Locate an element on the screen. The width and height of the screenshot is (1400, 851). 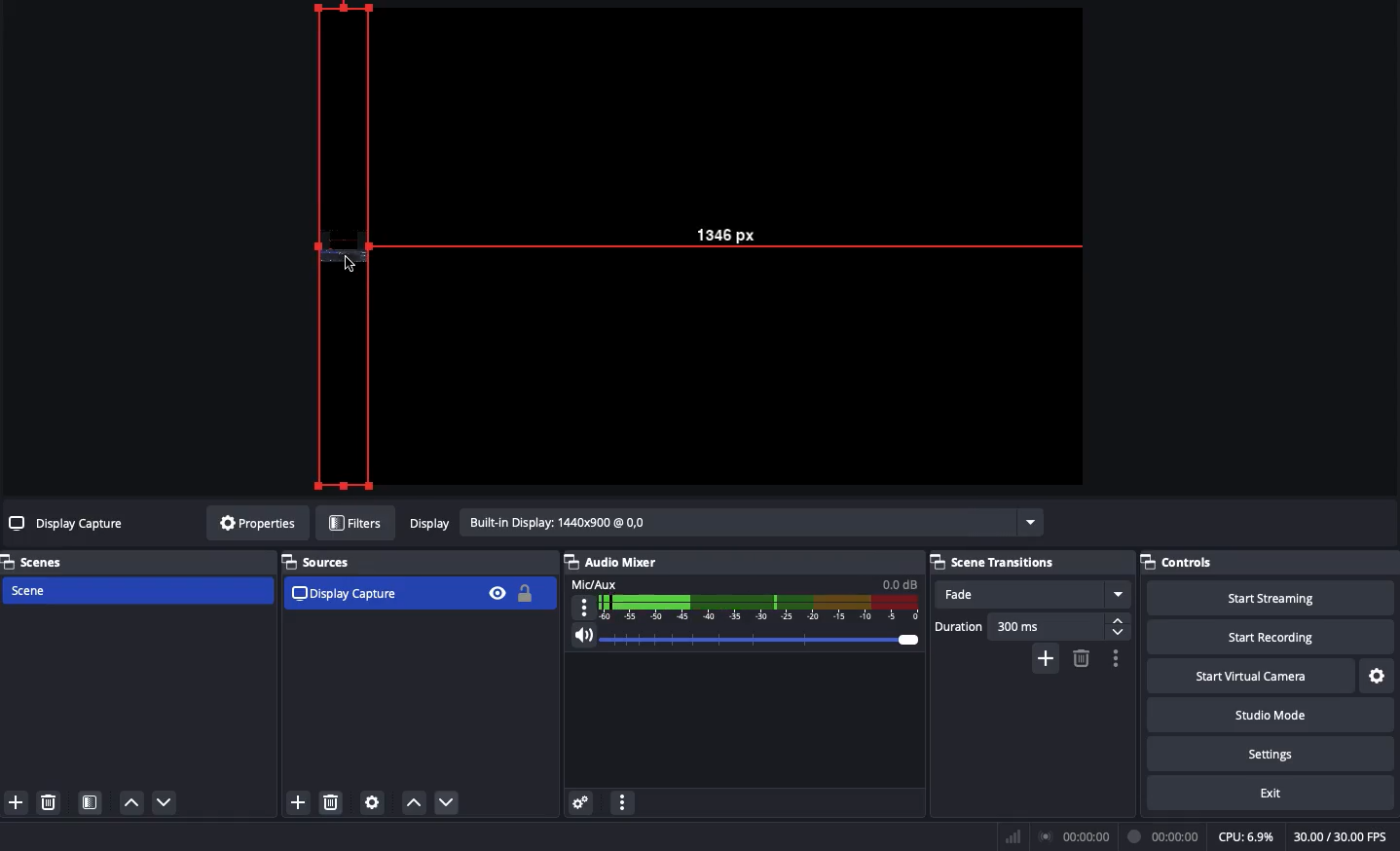
Broadcast is located at coordinates (1078, 837).